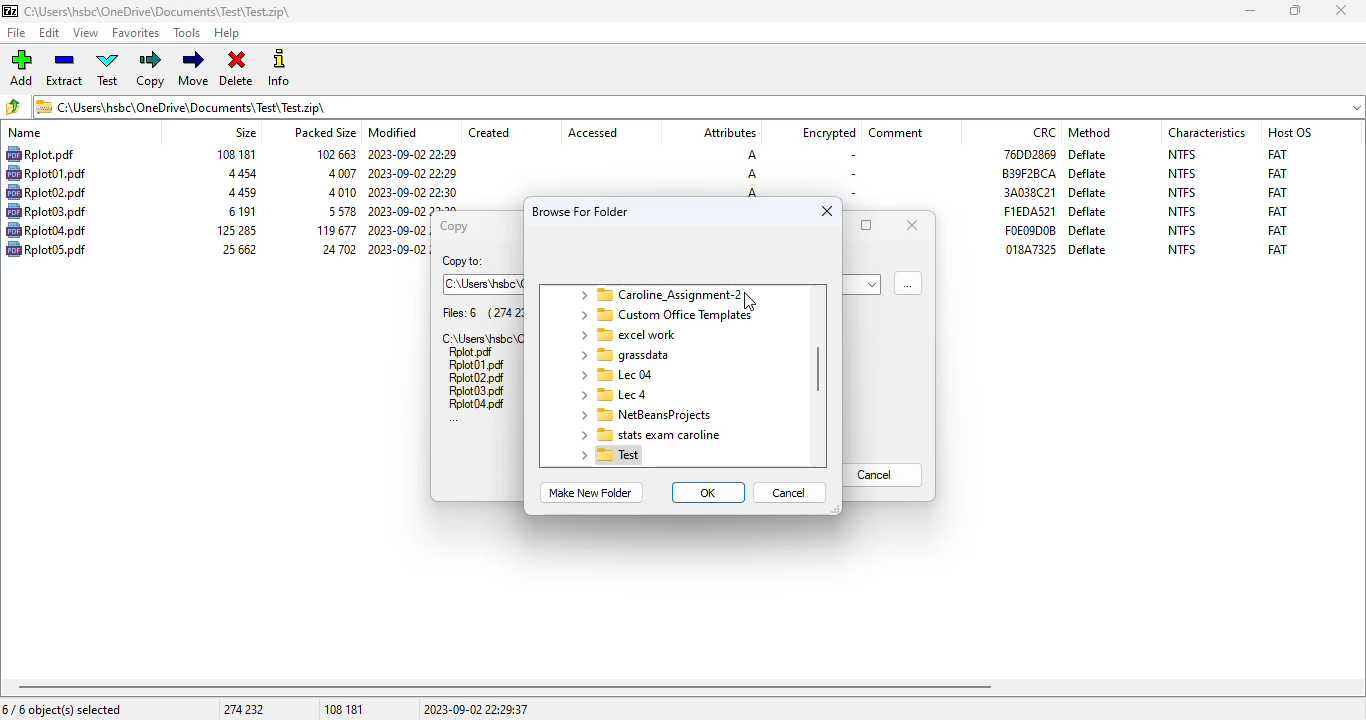 This screenshot has width=1366, height=720. Describe the element at coordinates (489, 133) in the screenshot. I see `created` at that location.